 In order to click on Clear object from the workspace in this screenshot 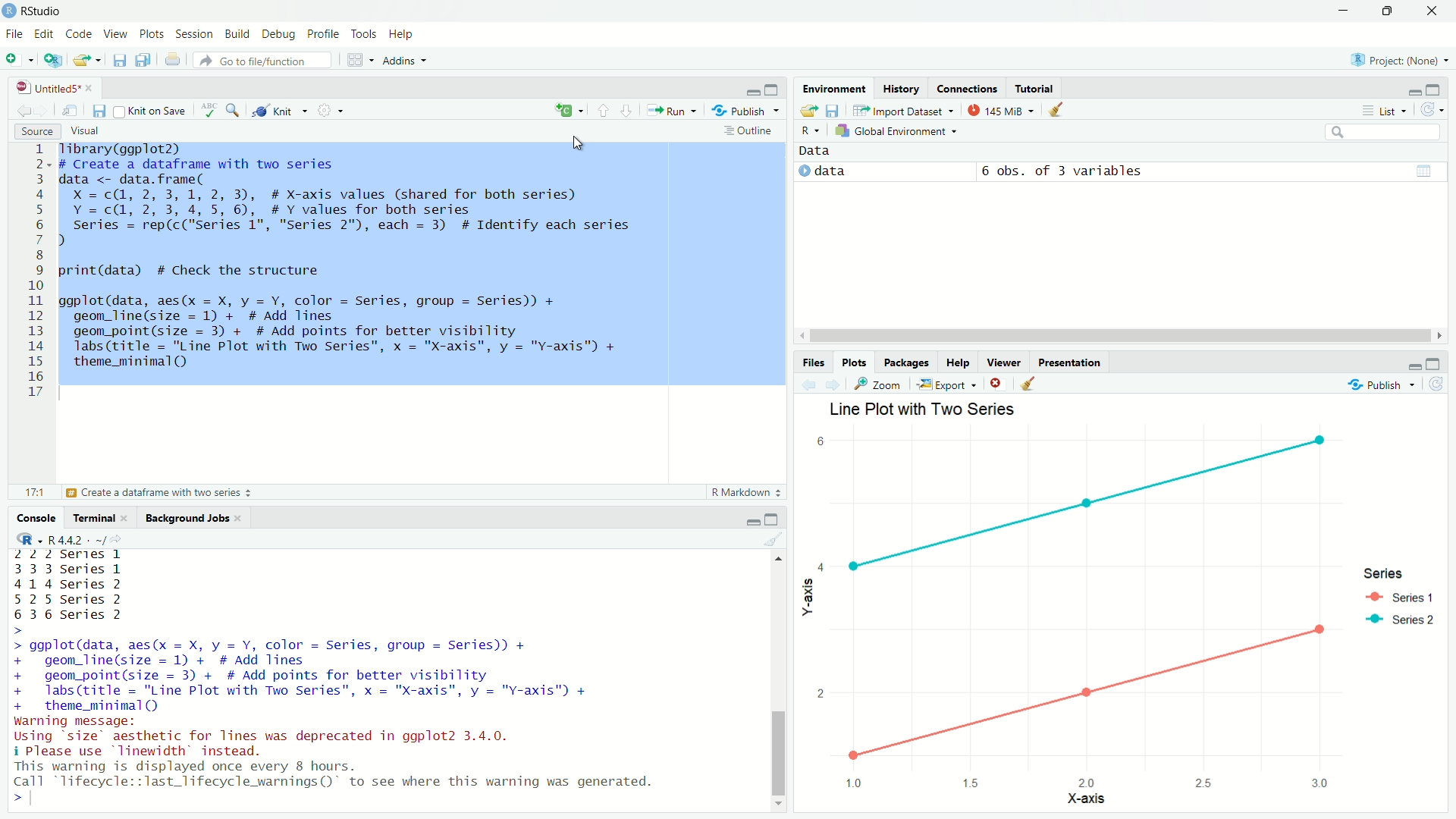, I will do `click(773, 539)`.